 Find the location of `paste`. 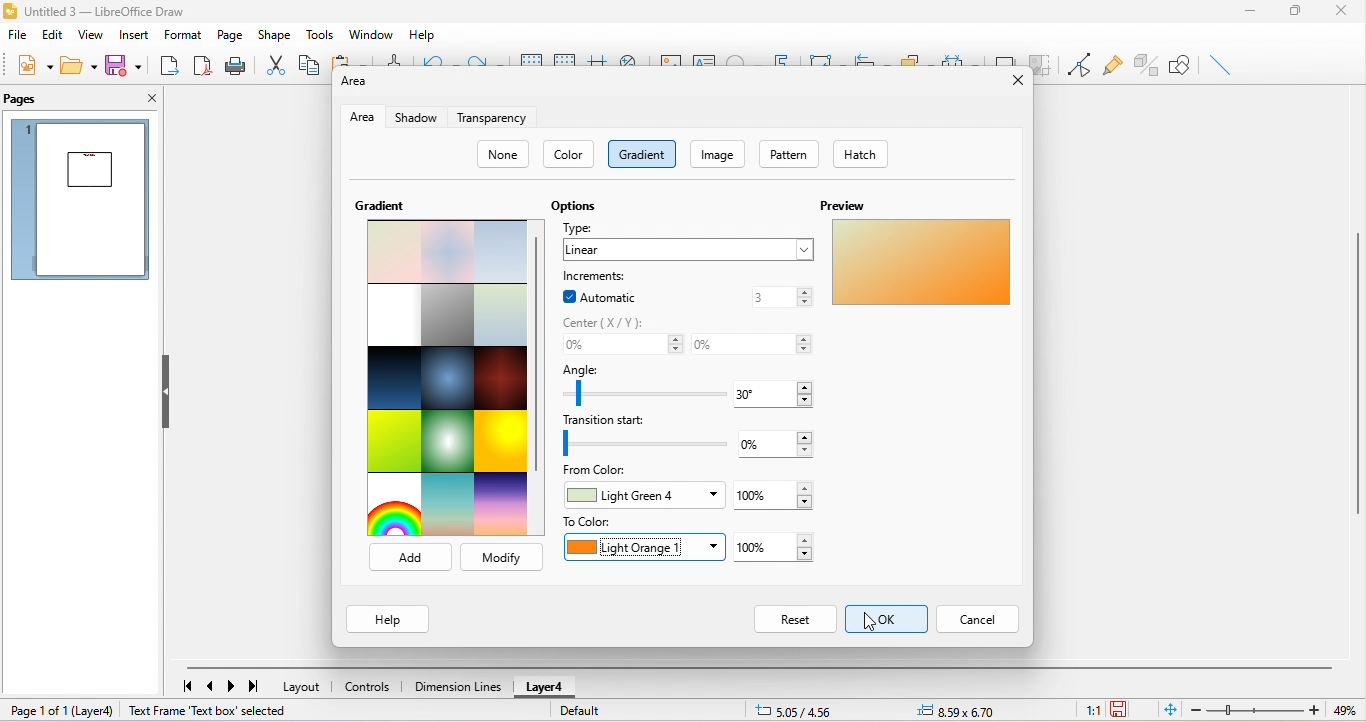

paste is located at coordinates (350, 59).